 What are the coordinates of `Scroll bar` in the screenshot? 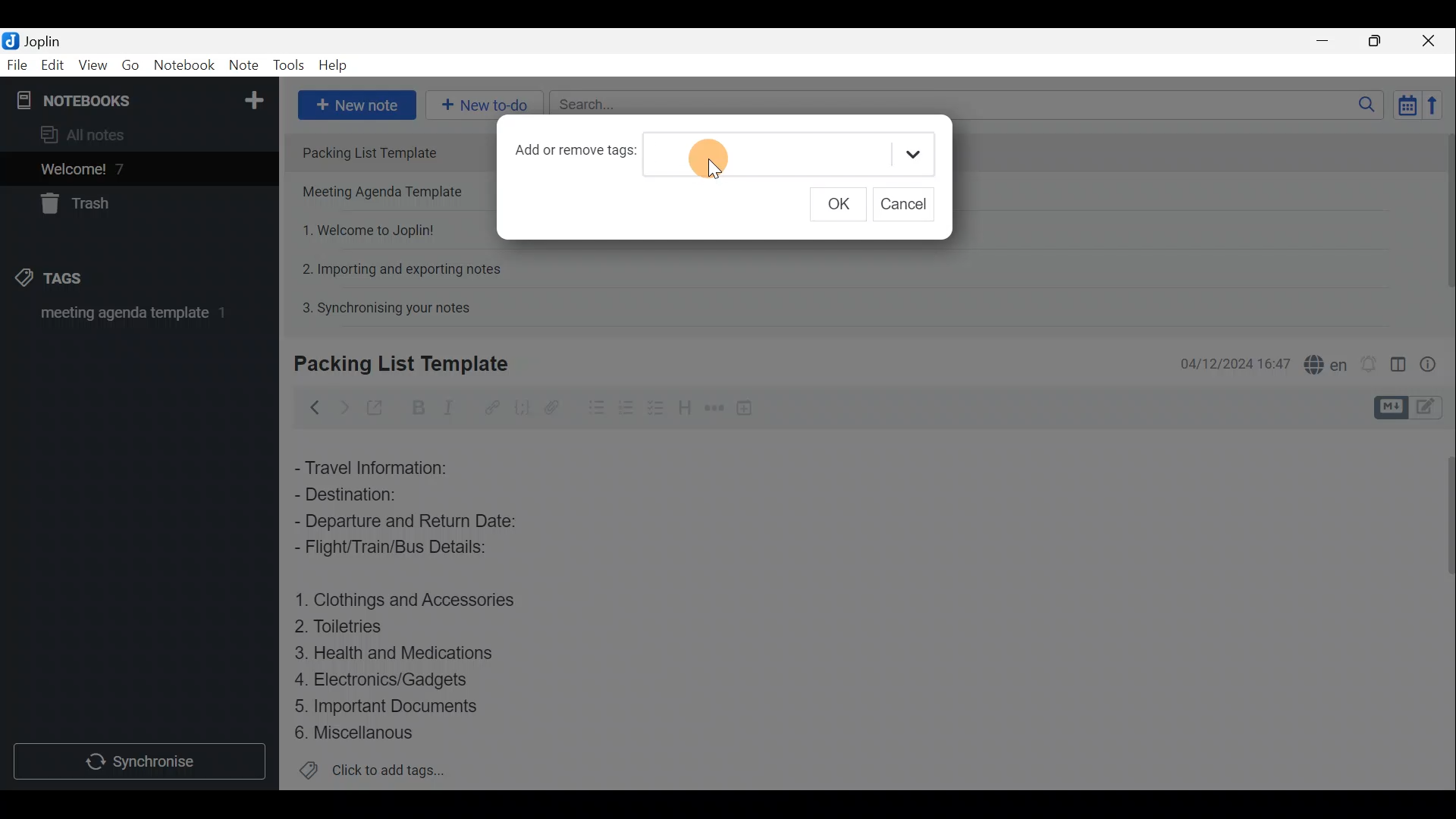 It's located at (1442, 221).